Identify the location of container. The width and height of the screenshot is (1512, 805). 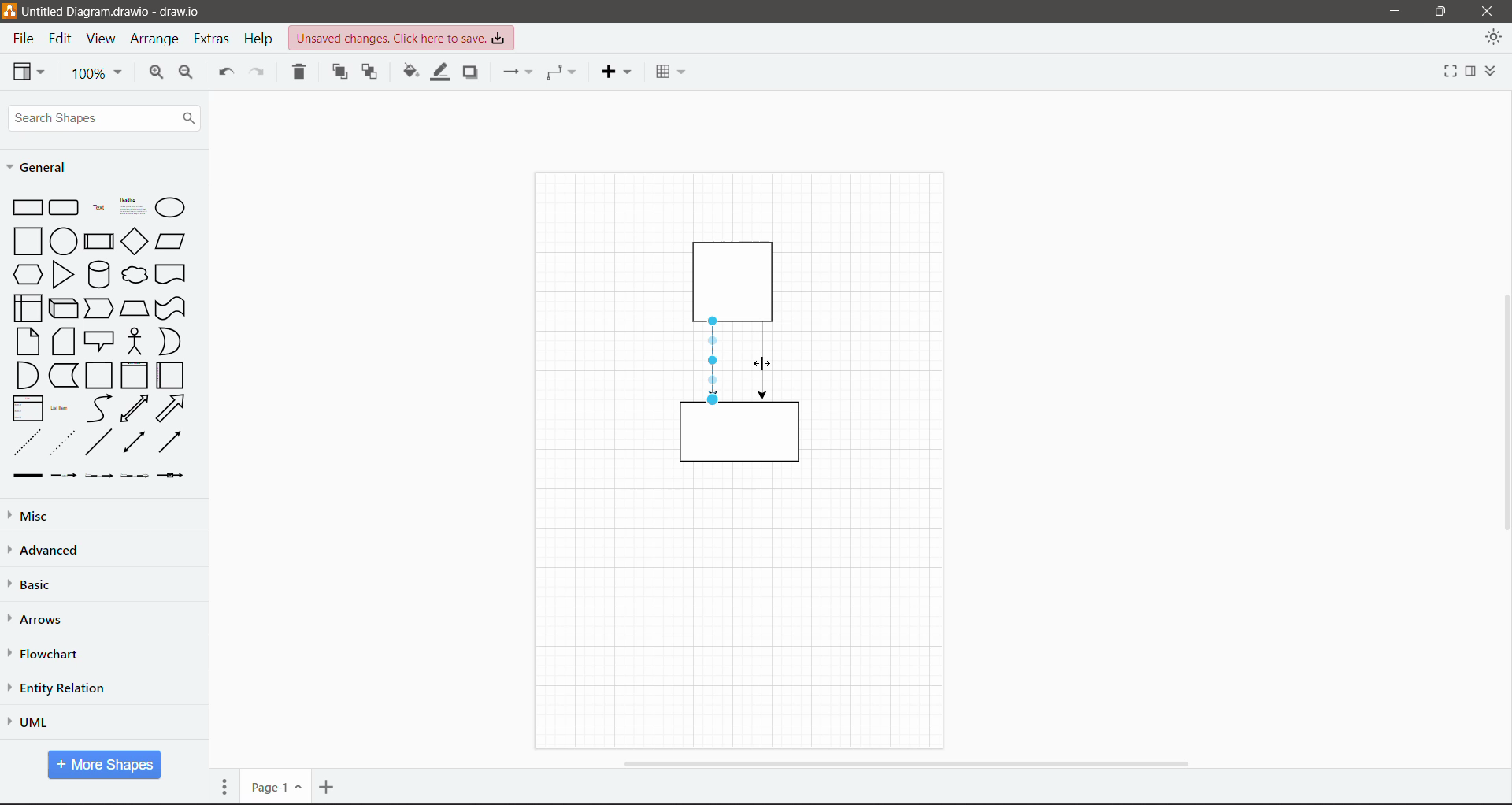
(737, 278).